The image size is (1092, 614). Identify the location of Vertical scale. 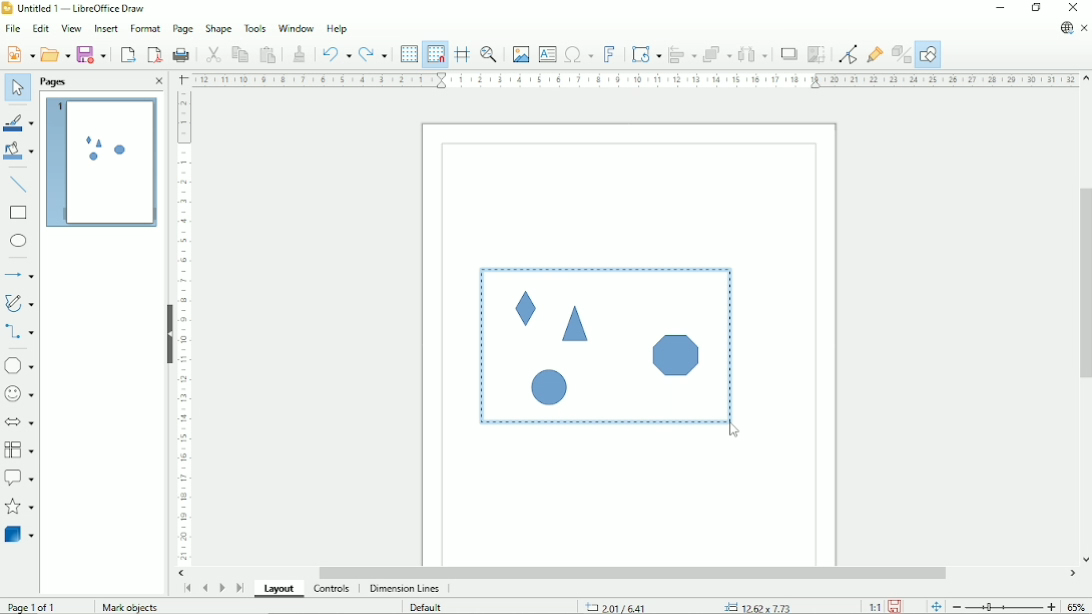
(182, 328).